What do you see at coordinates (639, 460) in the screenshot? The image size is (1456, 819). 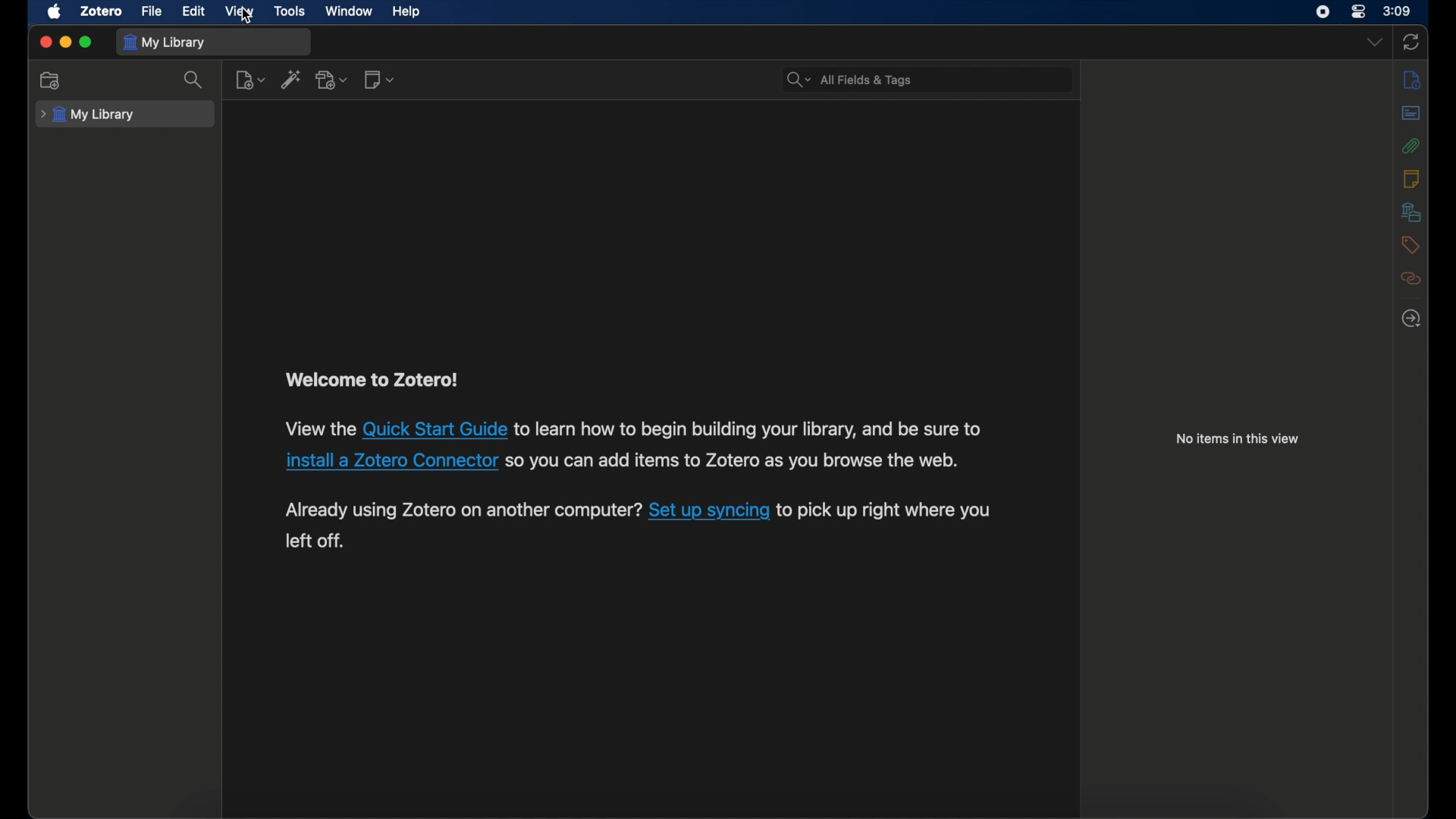 I see `paragraph describing instructions to use zotero software` at bounding box center [639, 460].